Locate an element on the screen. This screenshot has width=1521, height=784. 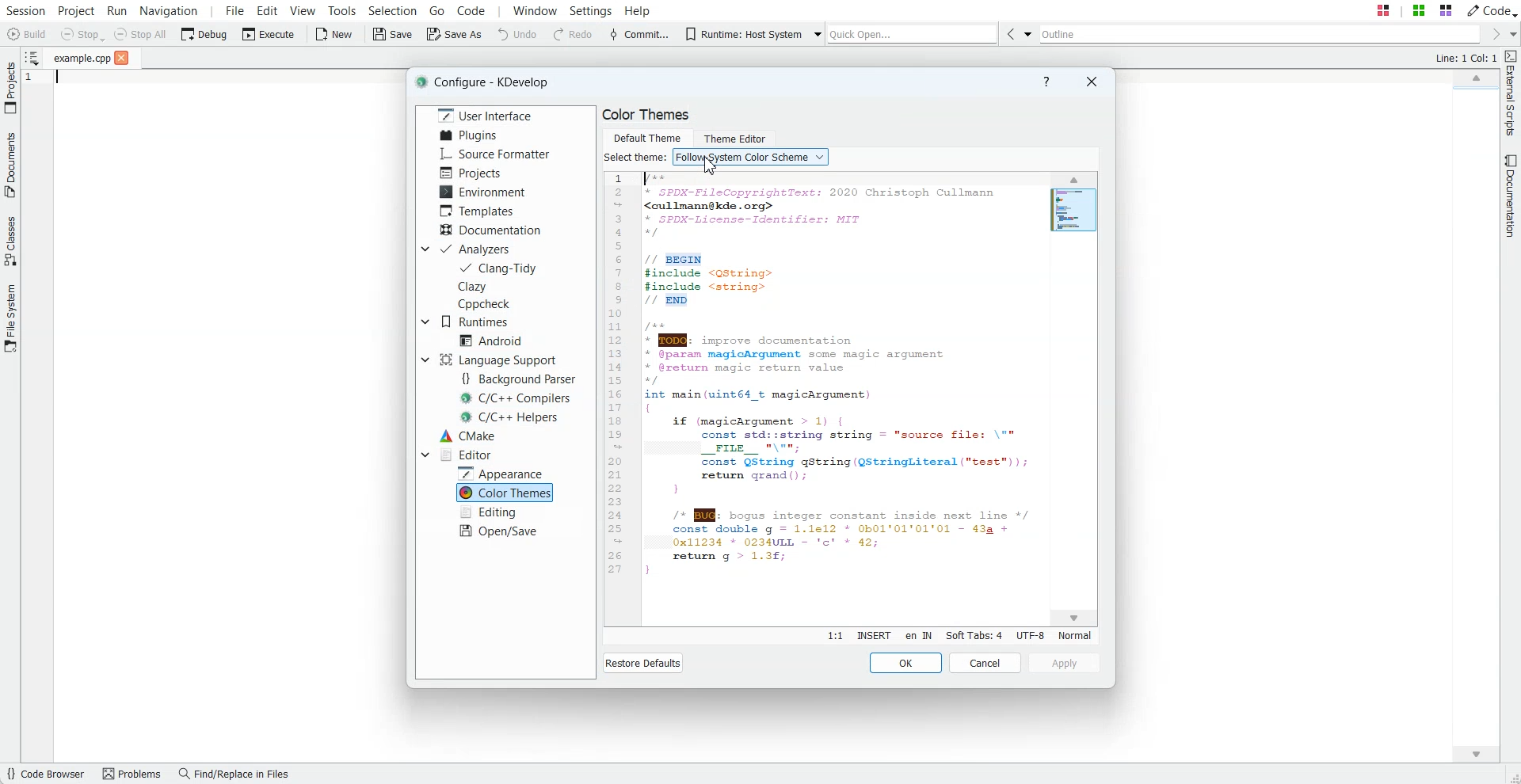
Problems is located at coordinates (134, 774).